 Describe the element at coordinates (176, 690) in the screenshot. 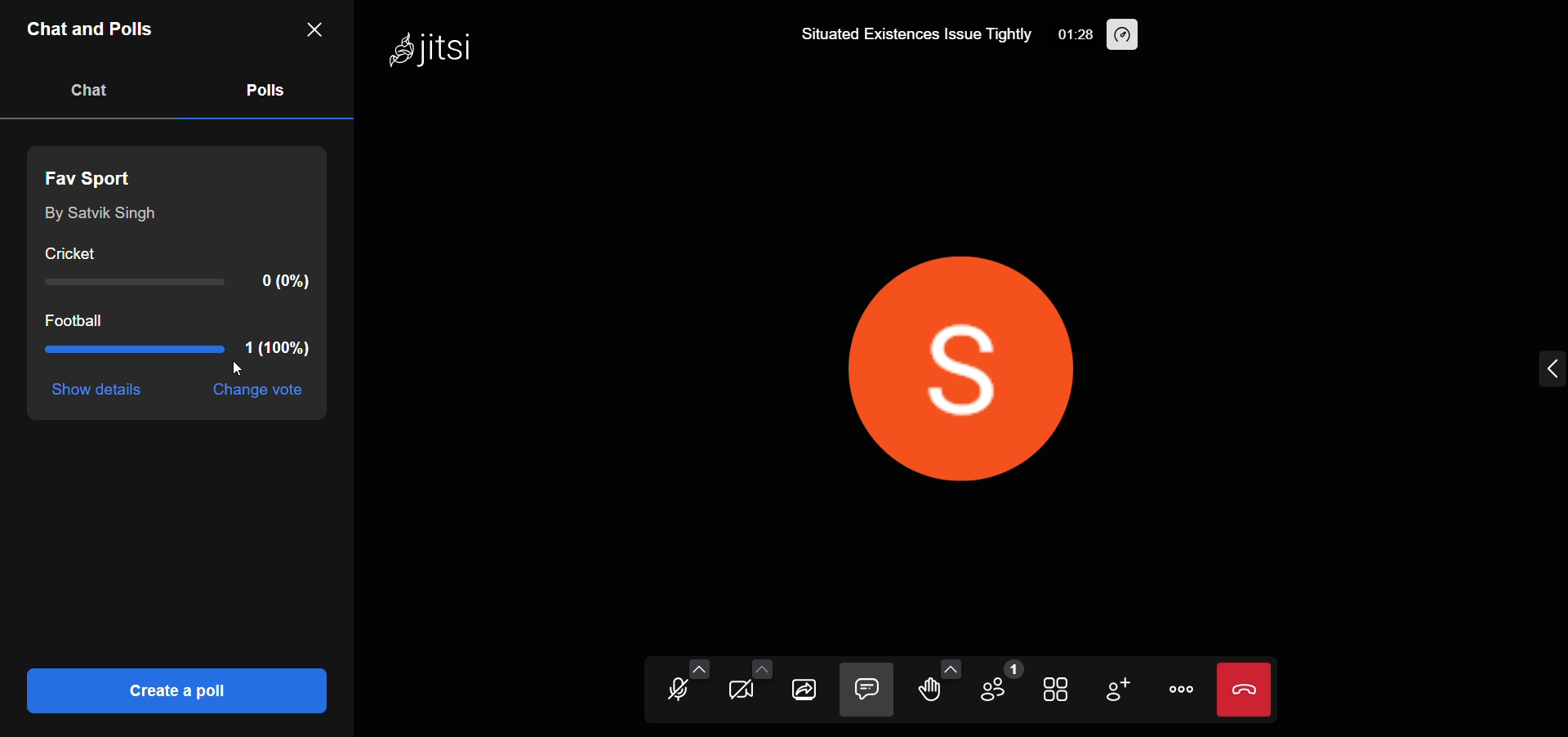

I see `create a poll` at that location.